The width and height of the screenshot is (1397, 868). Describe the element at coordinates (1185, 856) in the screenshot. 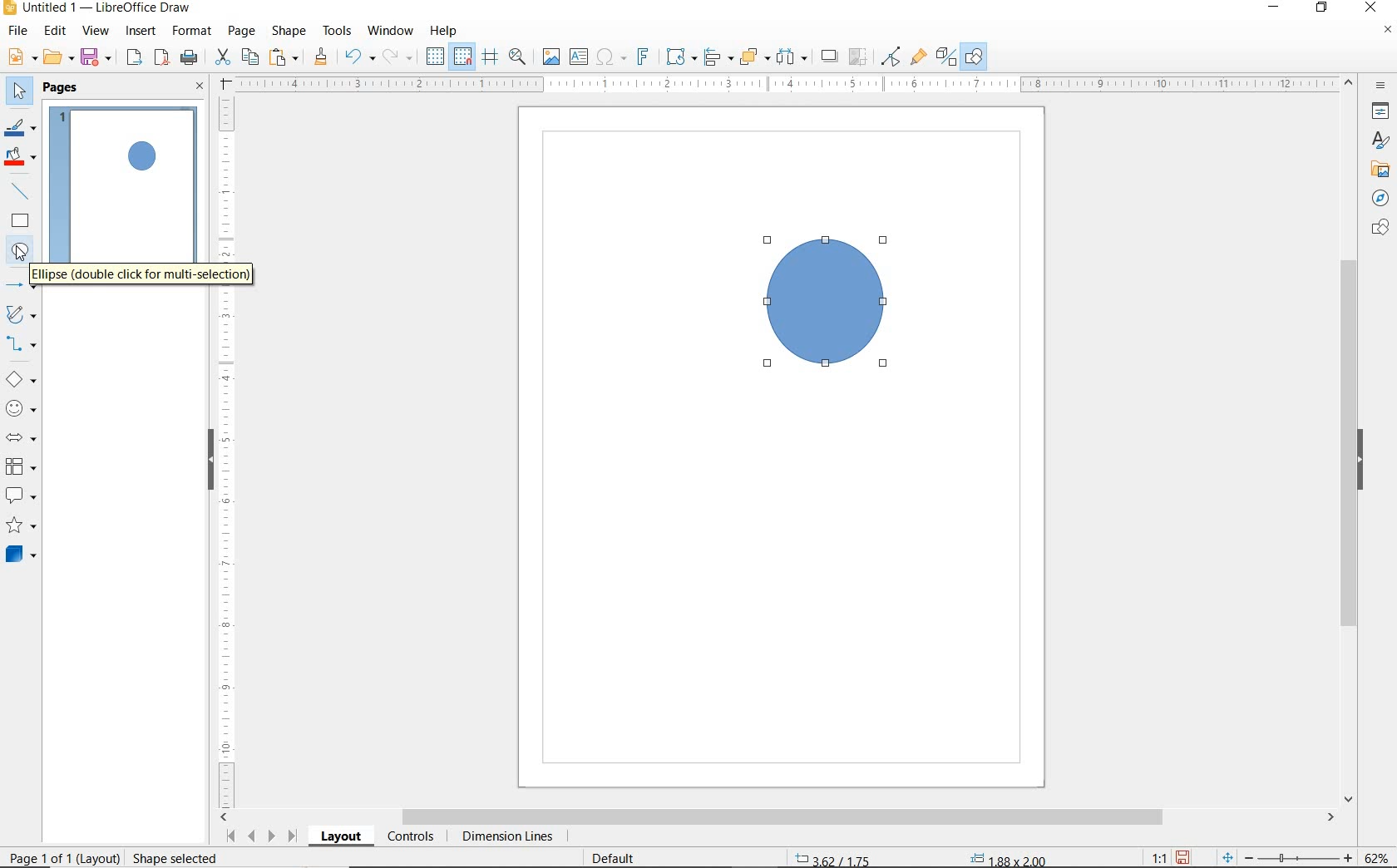

I see `SAVE` at that location.